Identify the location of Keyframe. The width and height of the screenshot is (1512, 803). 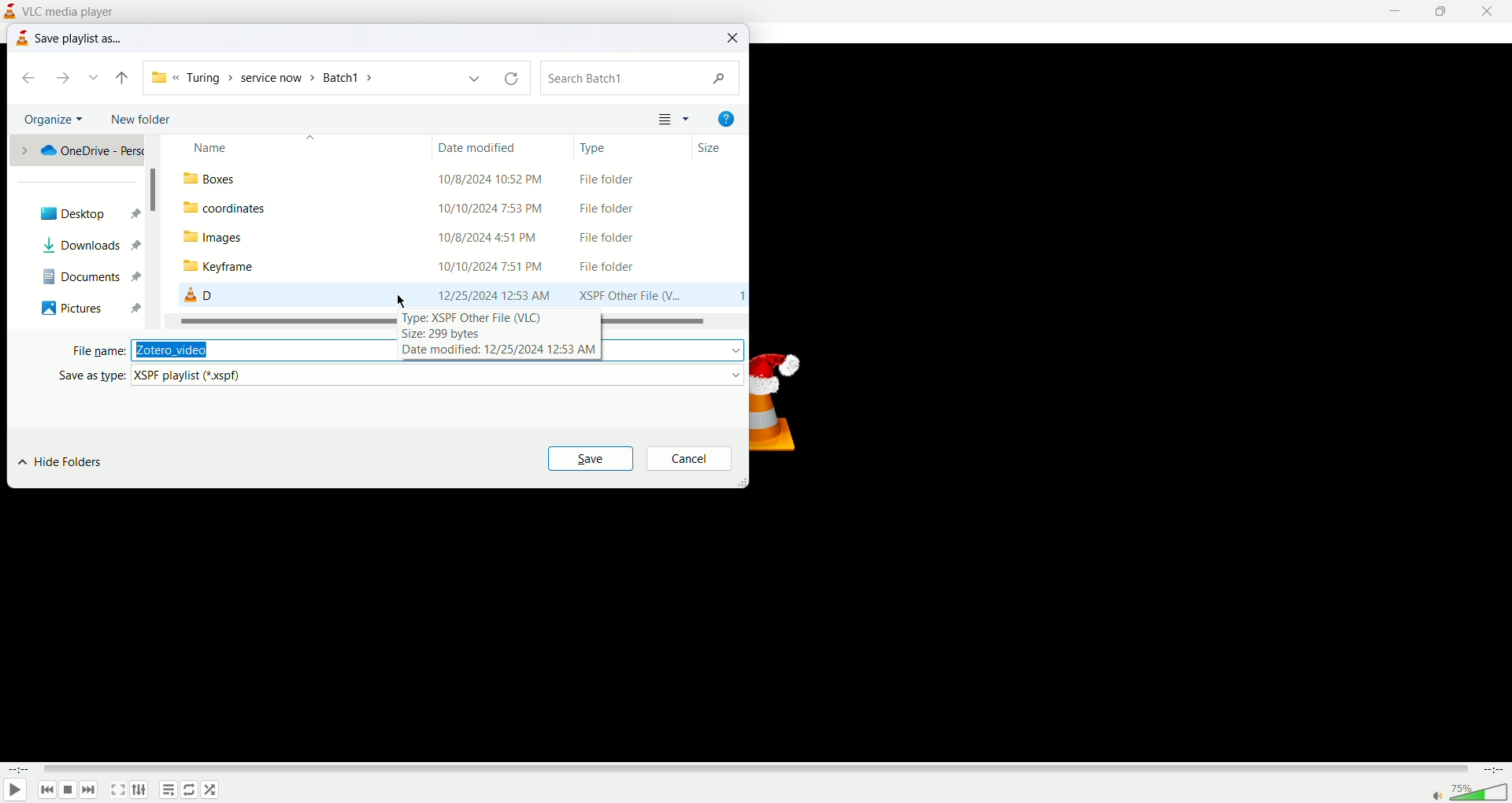
(235, 267).